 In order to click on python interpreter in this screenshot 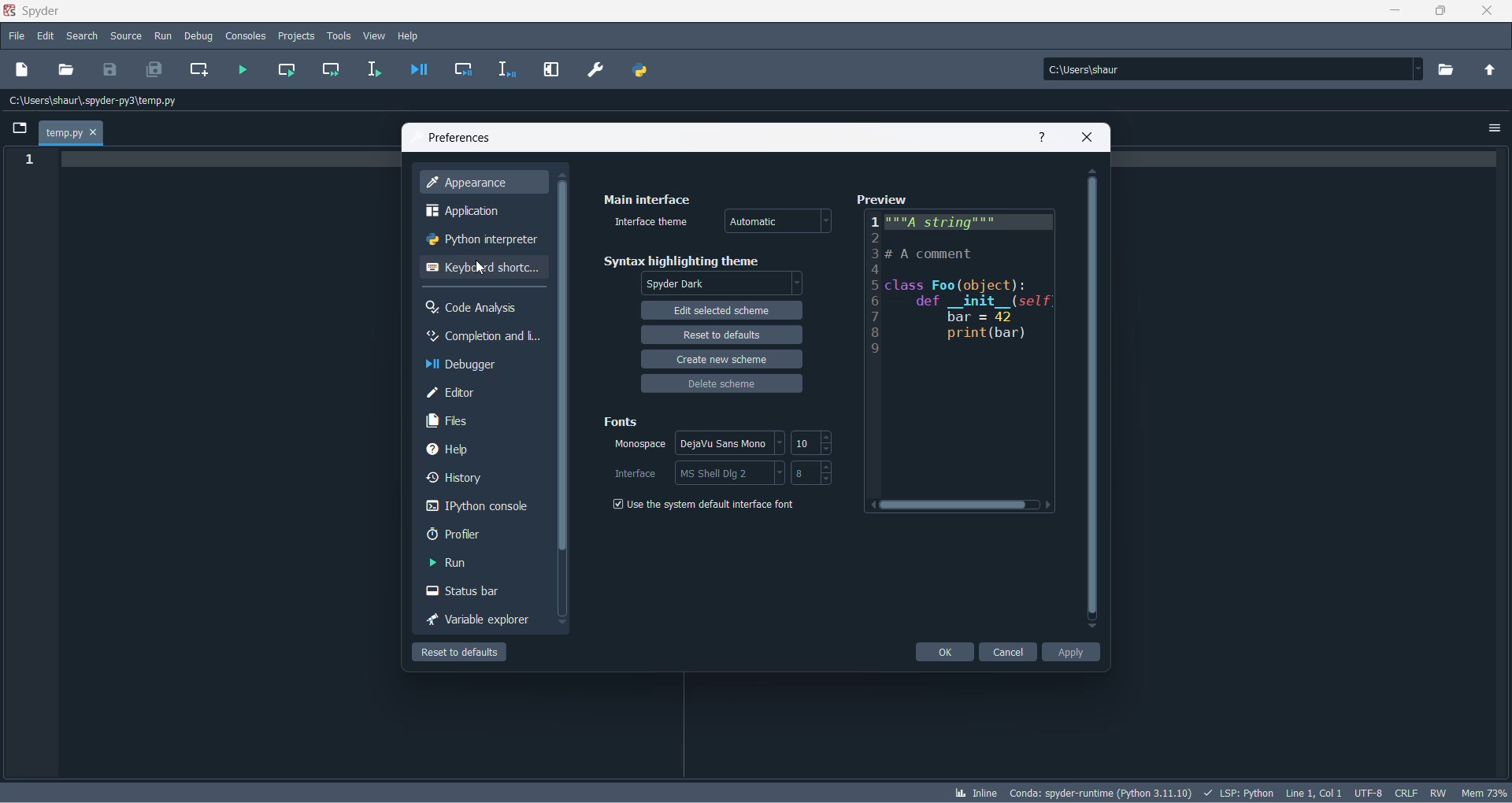, I will do `click(484, 241)`.